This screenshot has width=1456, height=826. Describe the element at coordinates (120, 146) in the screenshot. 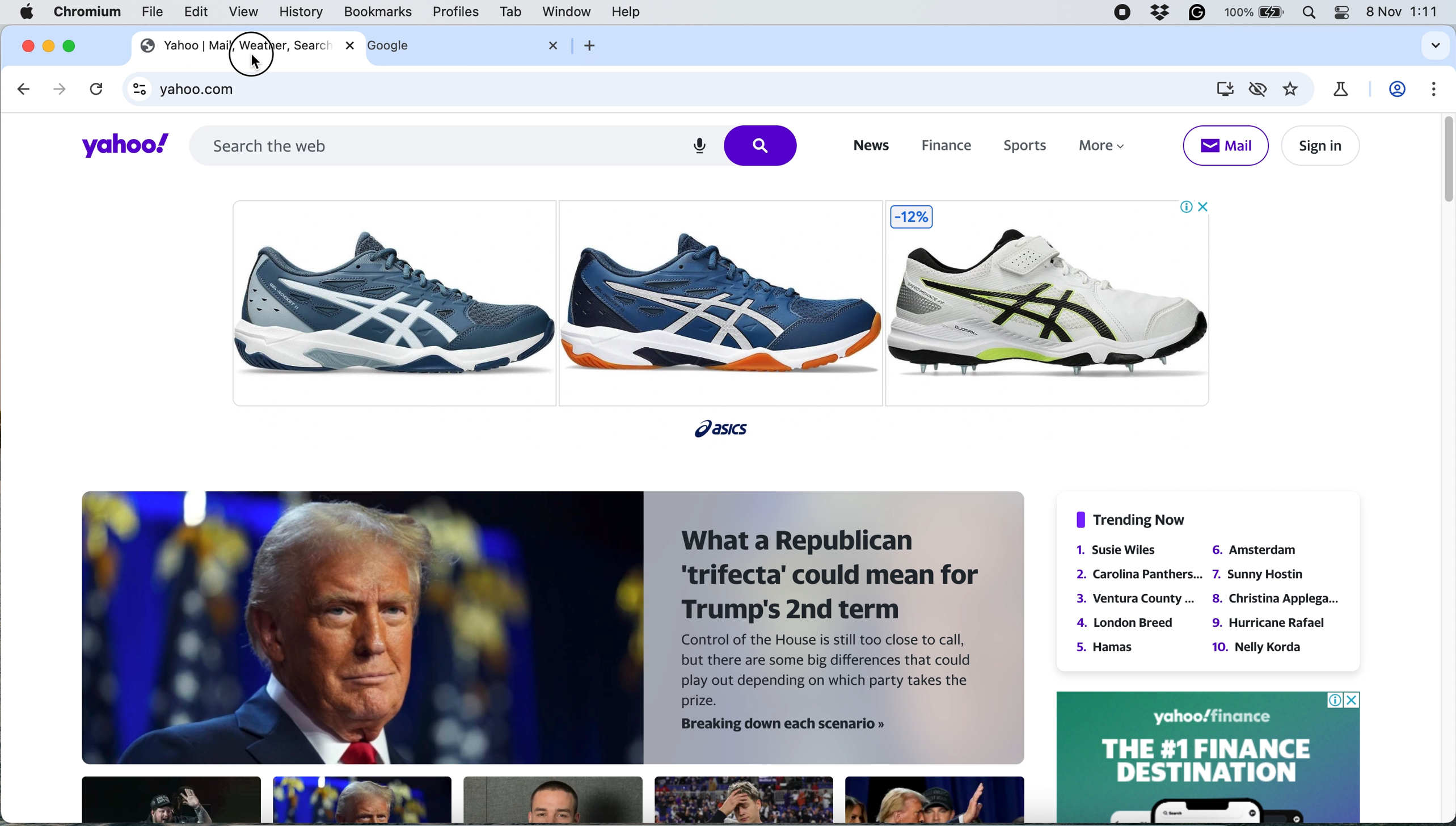

I see `yahoo!` at that location.